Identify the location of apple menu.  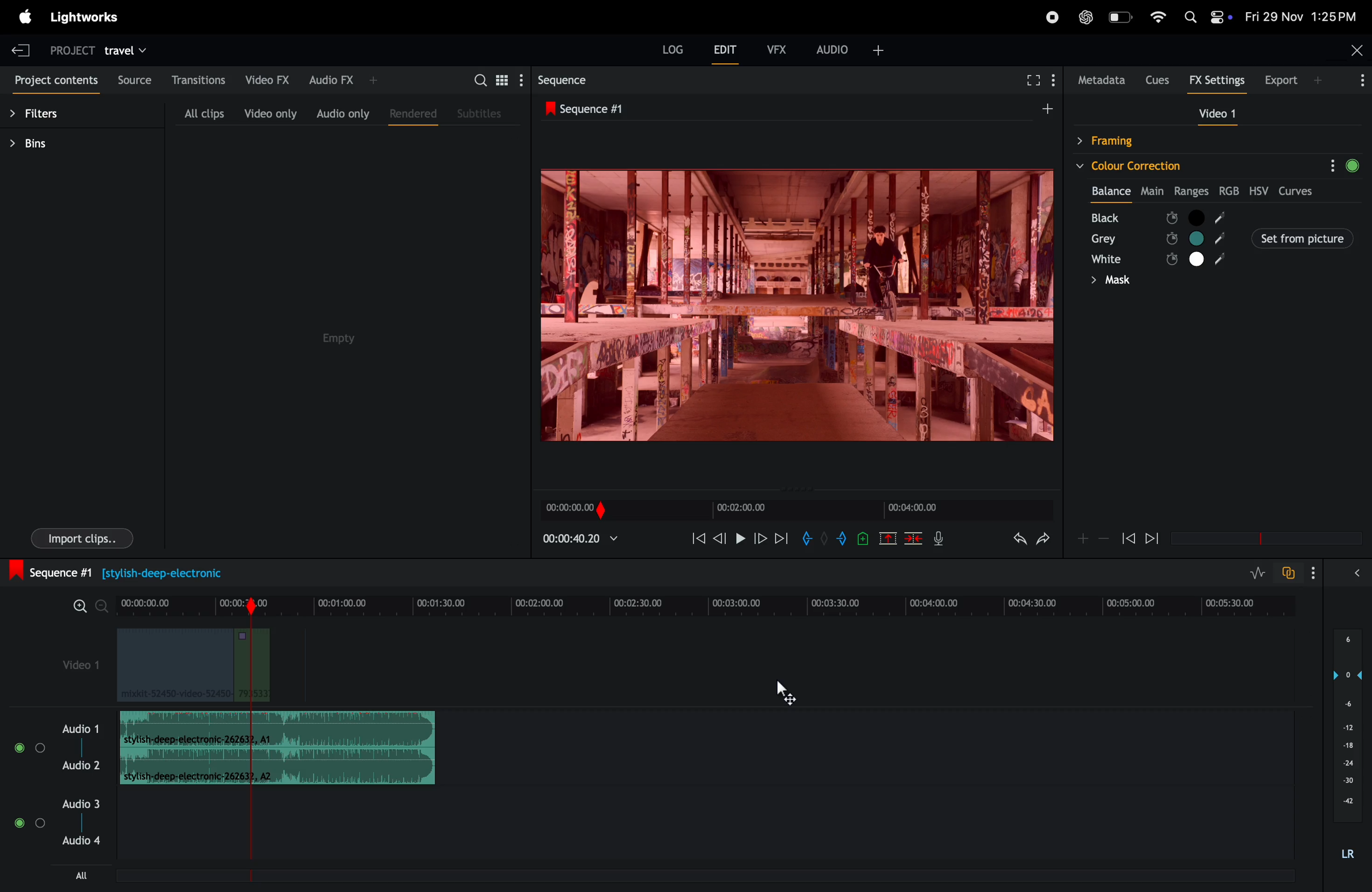
(24, 18).